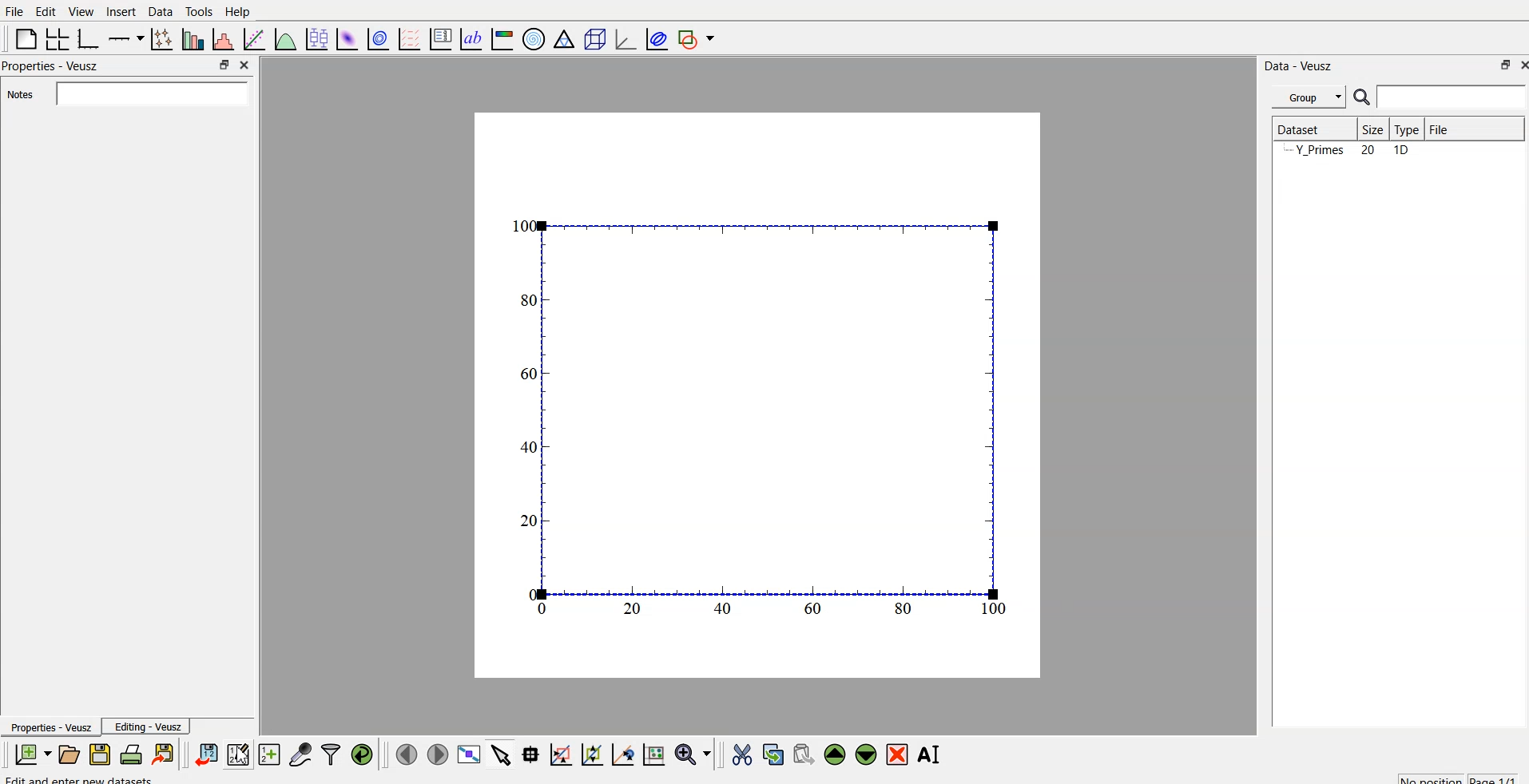 The height and width of the screenshot is (784, 1529). What do you see at coordinates (284, 39) in the screenshot?
I see `plot function` at bounding box center [284, 39].